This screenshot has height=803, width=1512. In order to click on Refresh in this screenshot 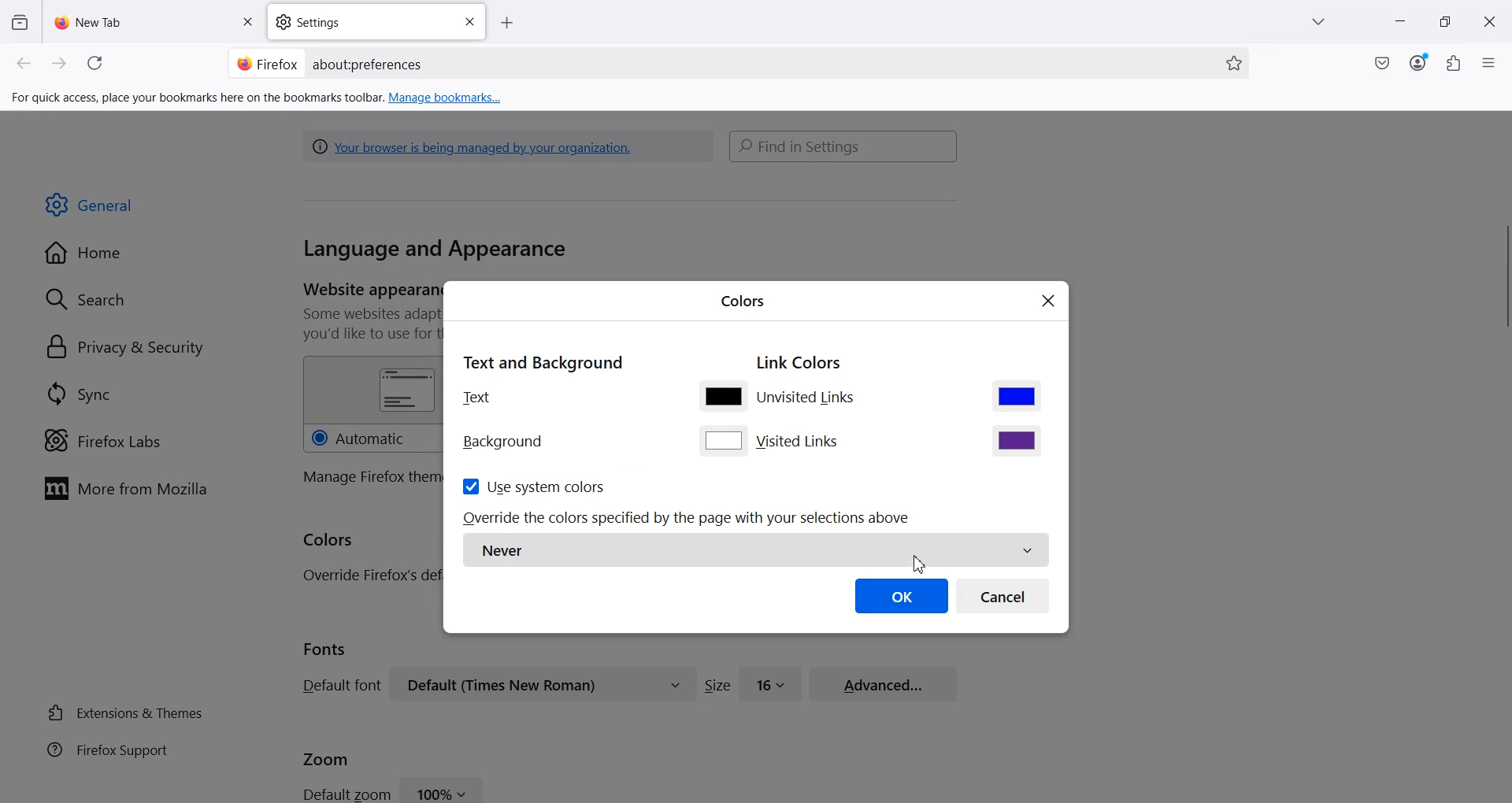, I will do `click(98, 64)`.